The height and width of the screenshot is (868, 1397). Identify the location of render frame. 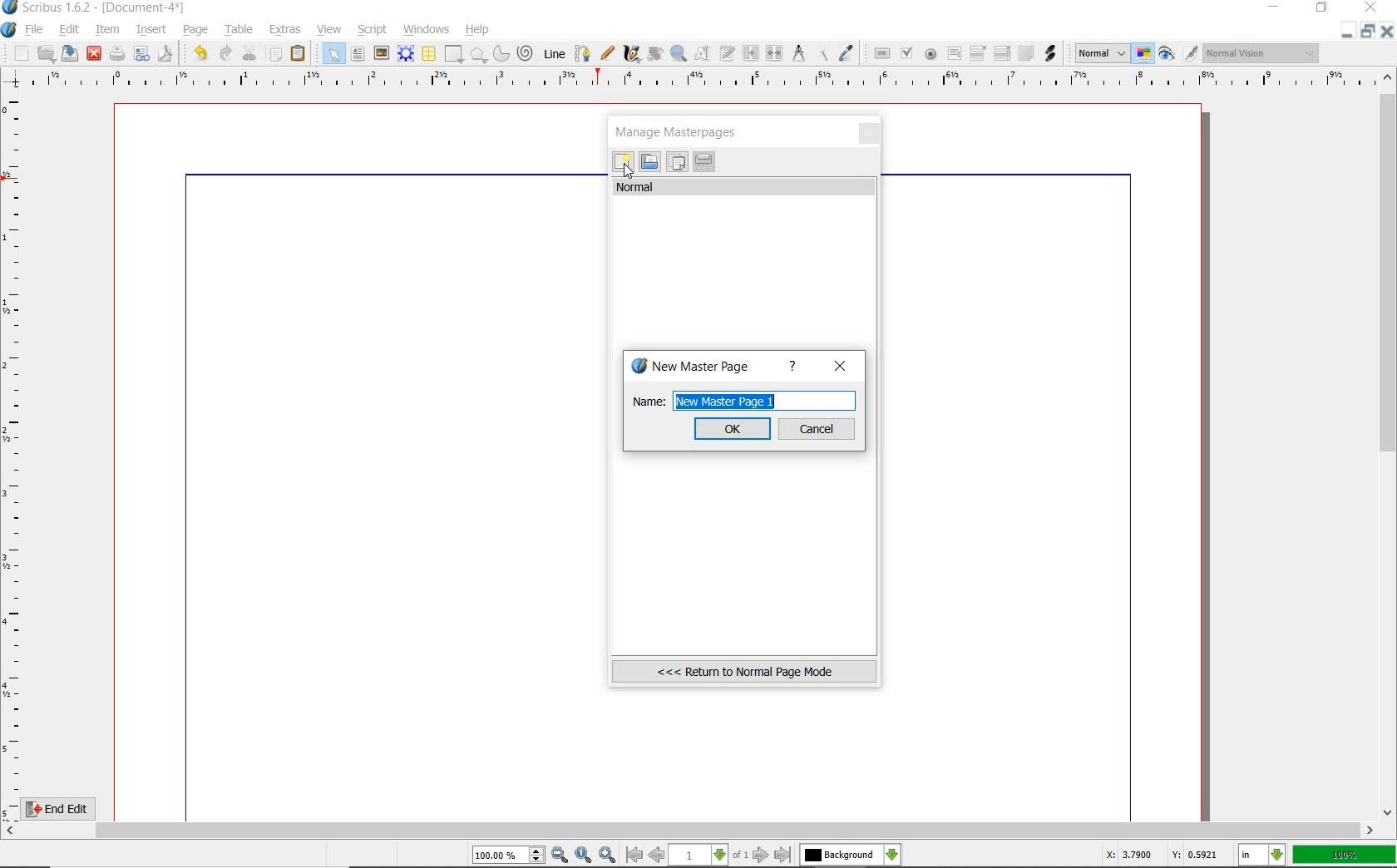
(406, 53).